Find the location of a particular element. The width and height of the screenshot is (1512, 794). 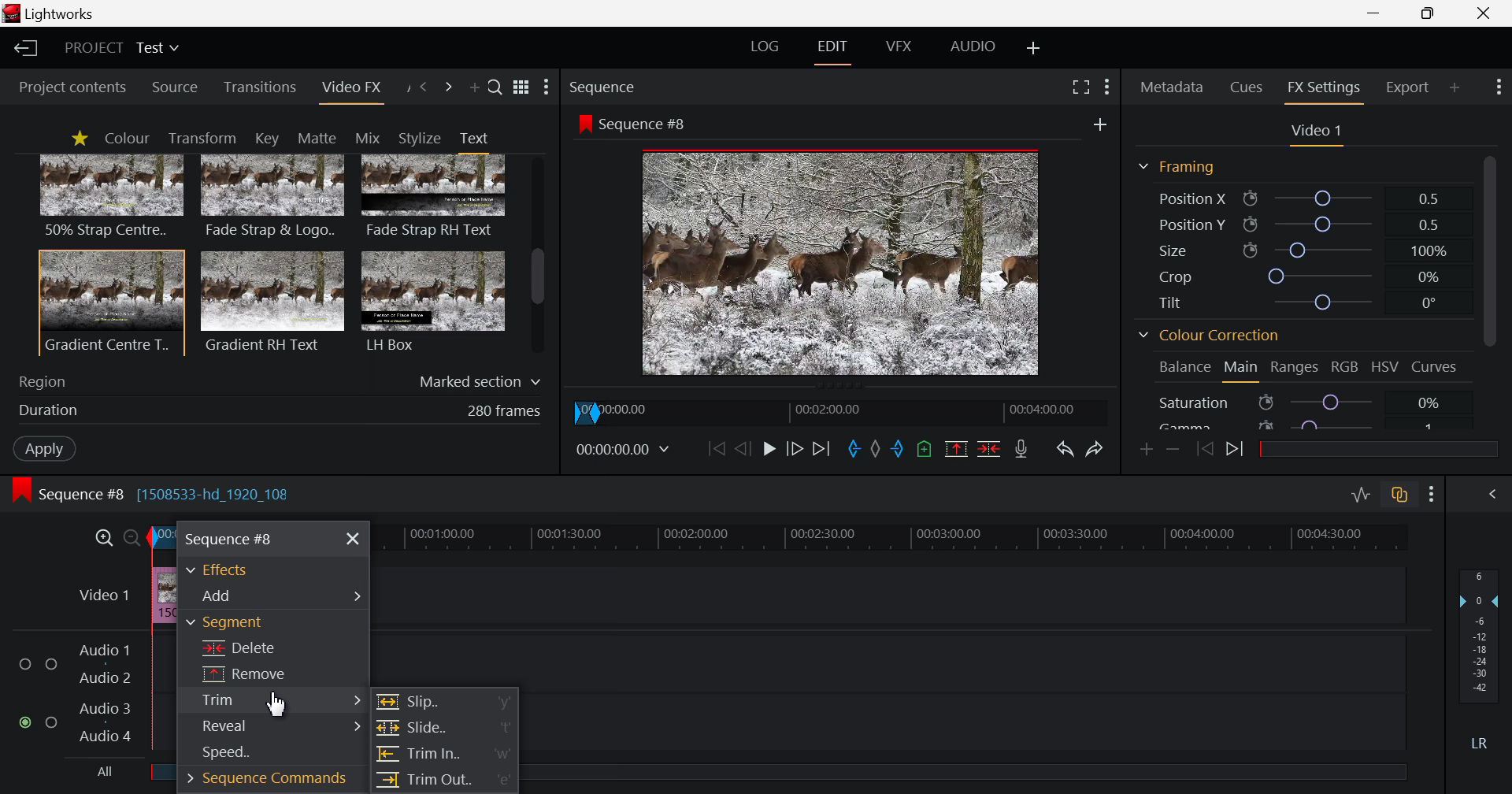

Slip is located at coordinates (446, 703).